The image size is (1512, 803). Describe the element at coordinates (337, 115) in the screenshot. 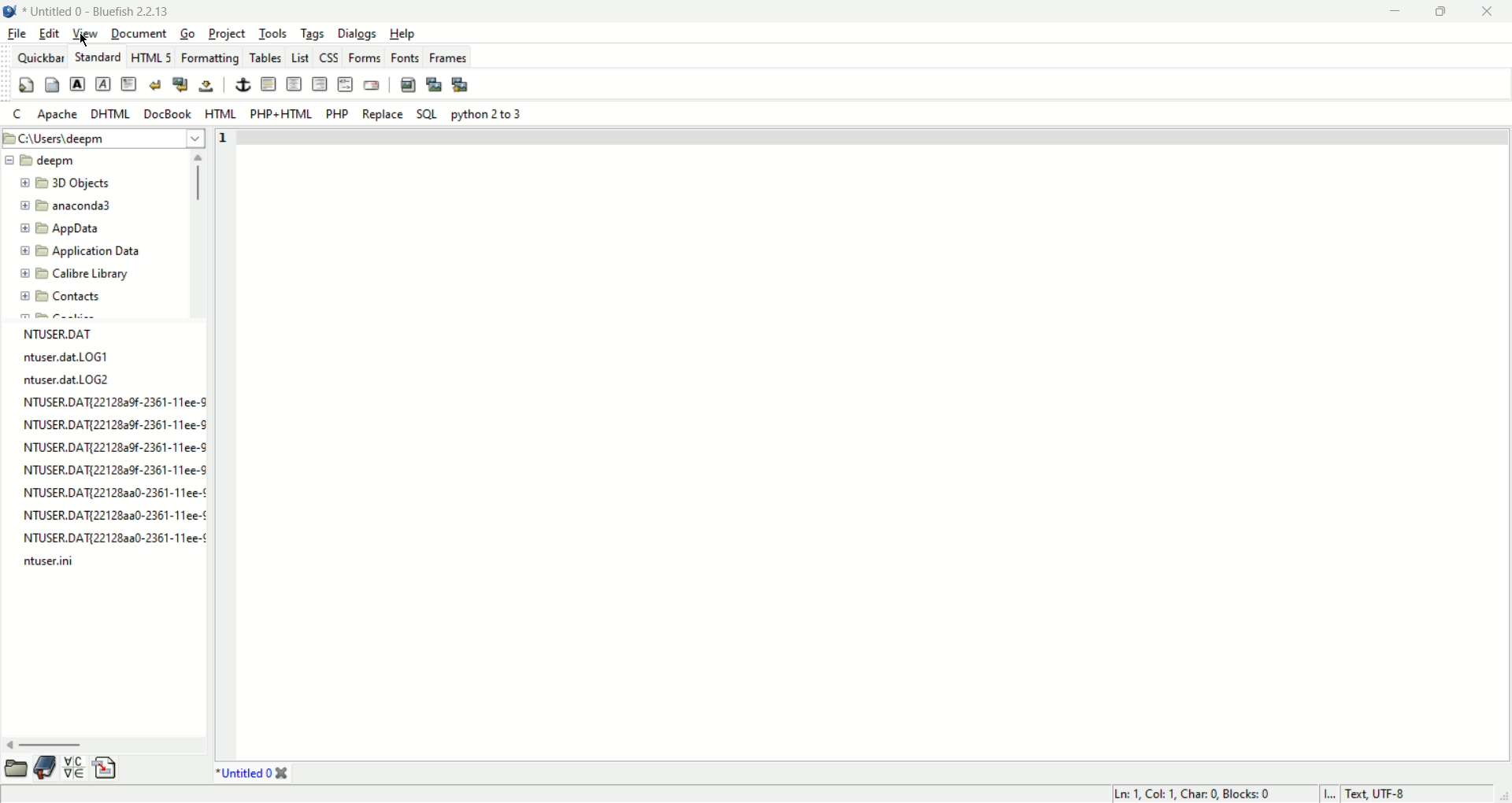

I see `PHP` at that location.